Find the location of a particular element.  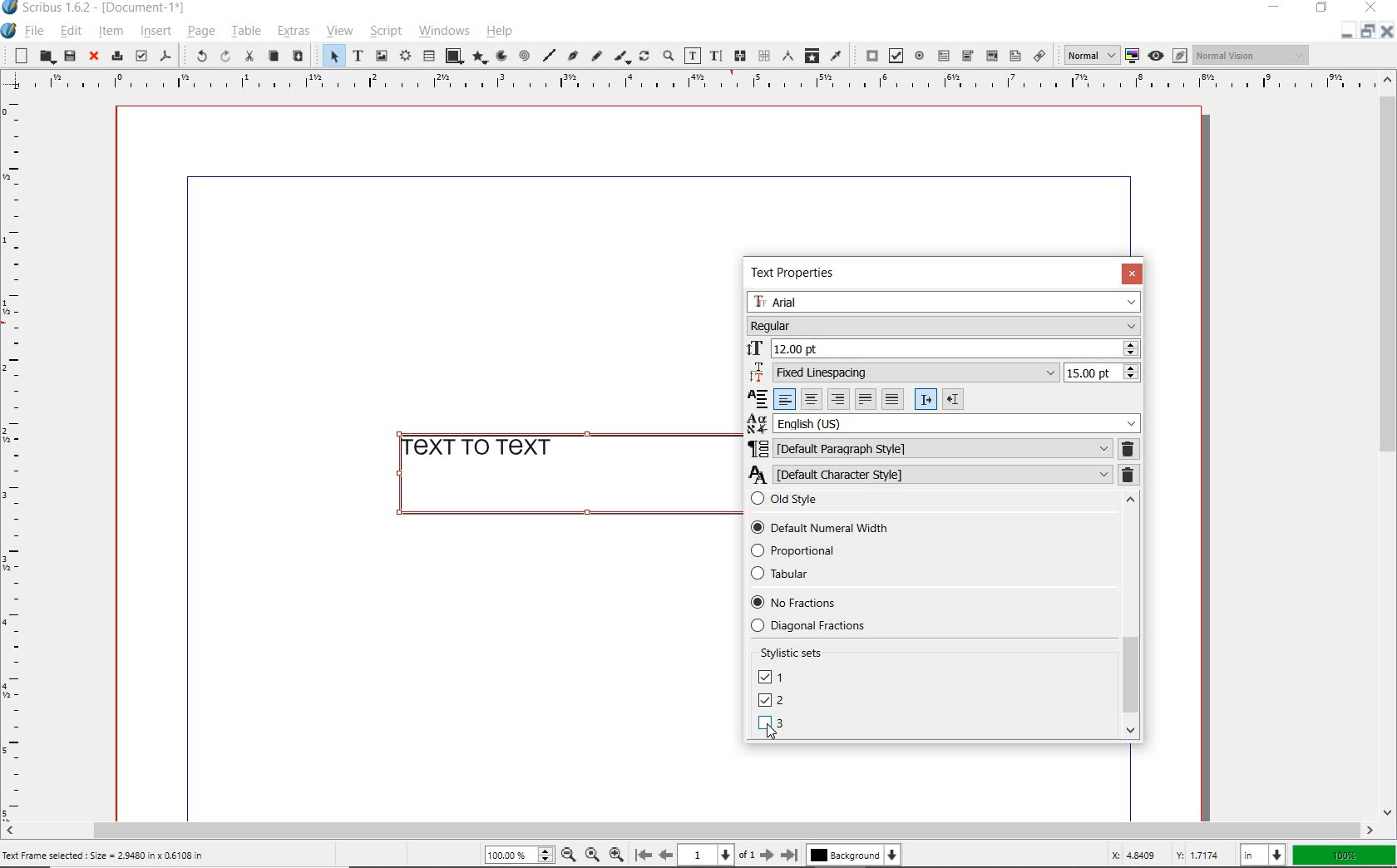

Scribus 1.6.2 - [Document-1*] is located at coordinates (99, 10).